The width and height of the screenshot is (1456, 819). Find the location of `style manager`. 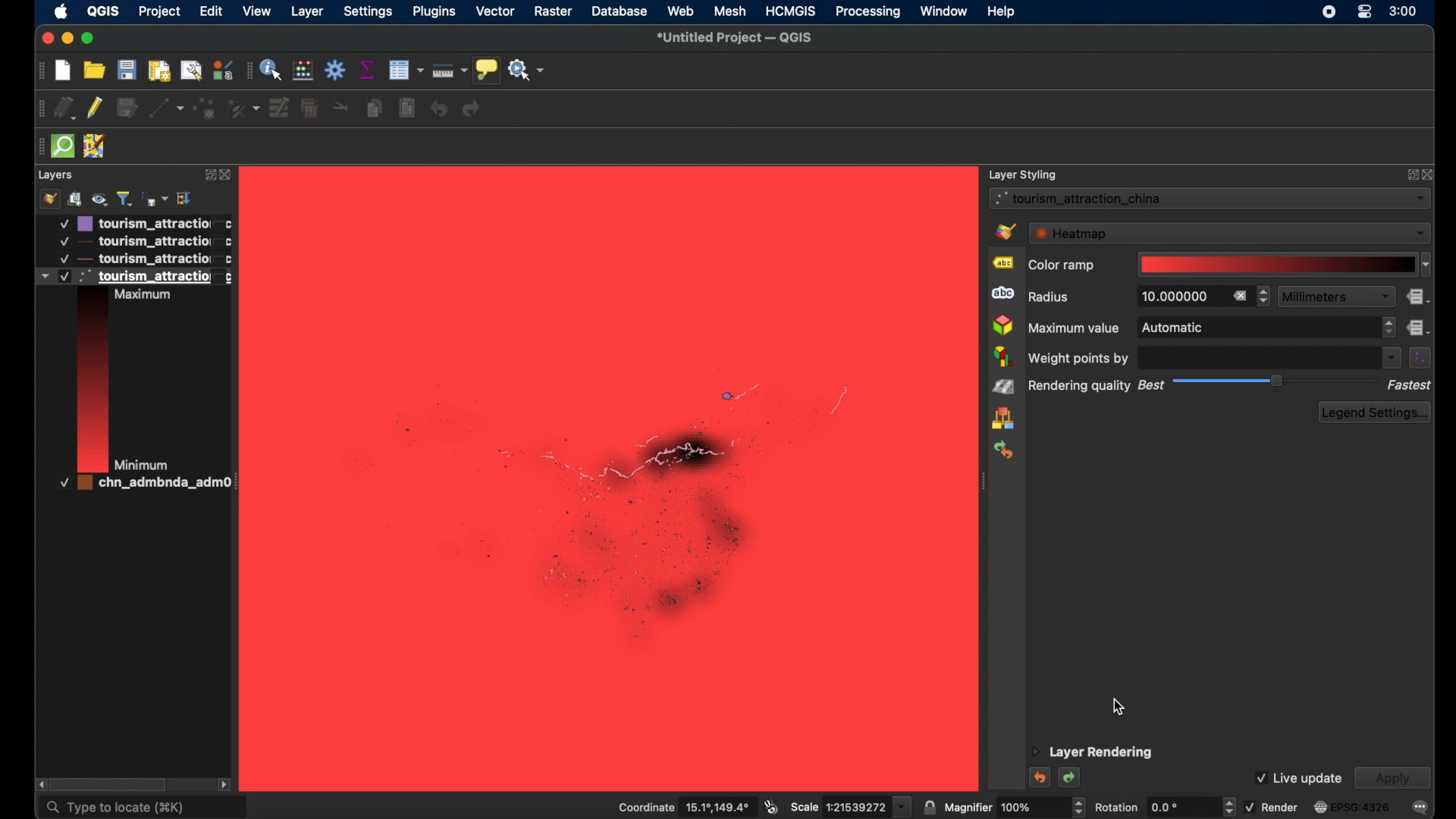

style manager is located at coordinates (1003, 419).